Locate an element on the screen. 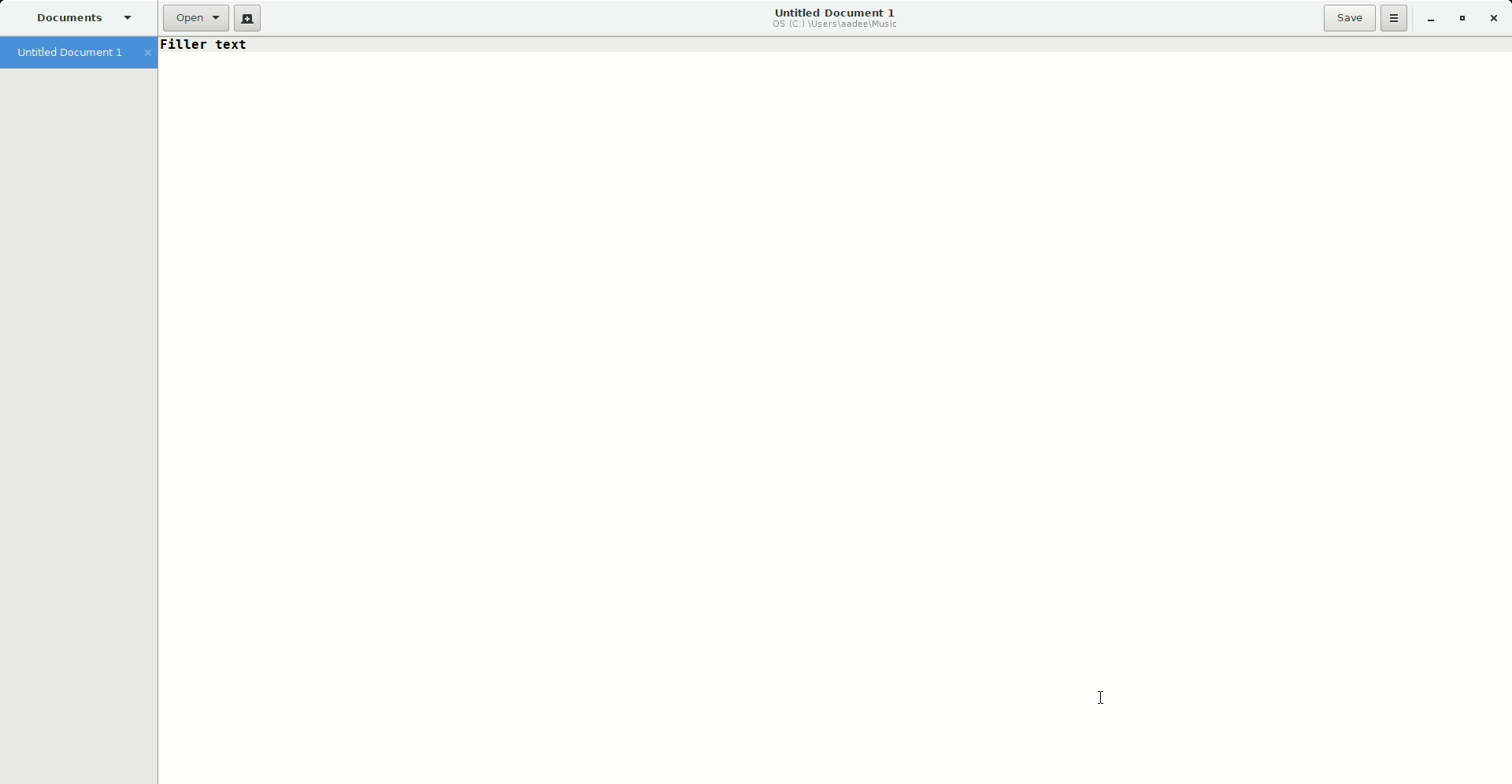 The width and height of the screenshot is (1512, 784). Restore is located at coordinates (1459, 19).